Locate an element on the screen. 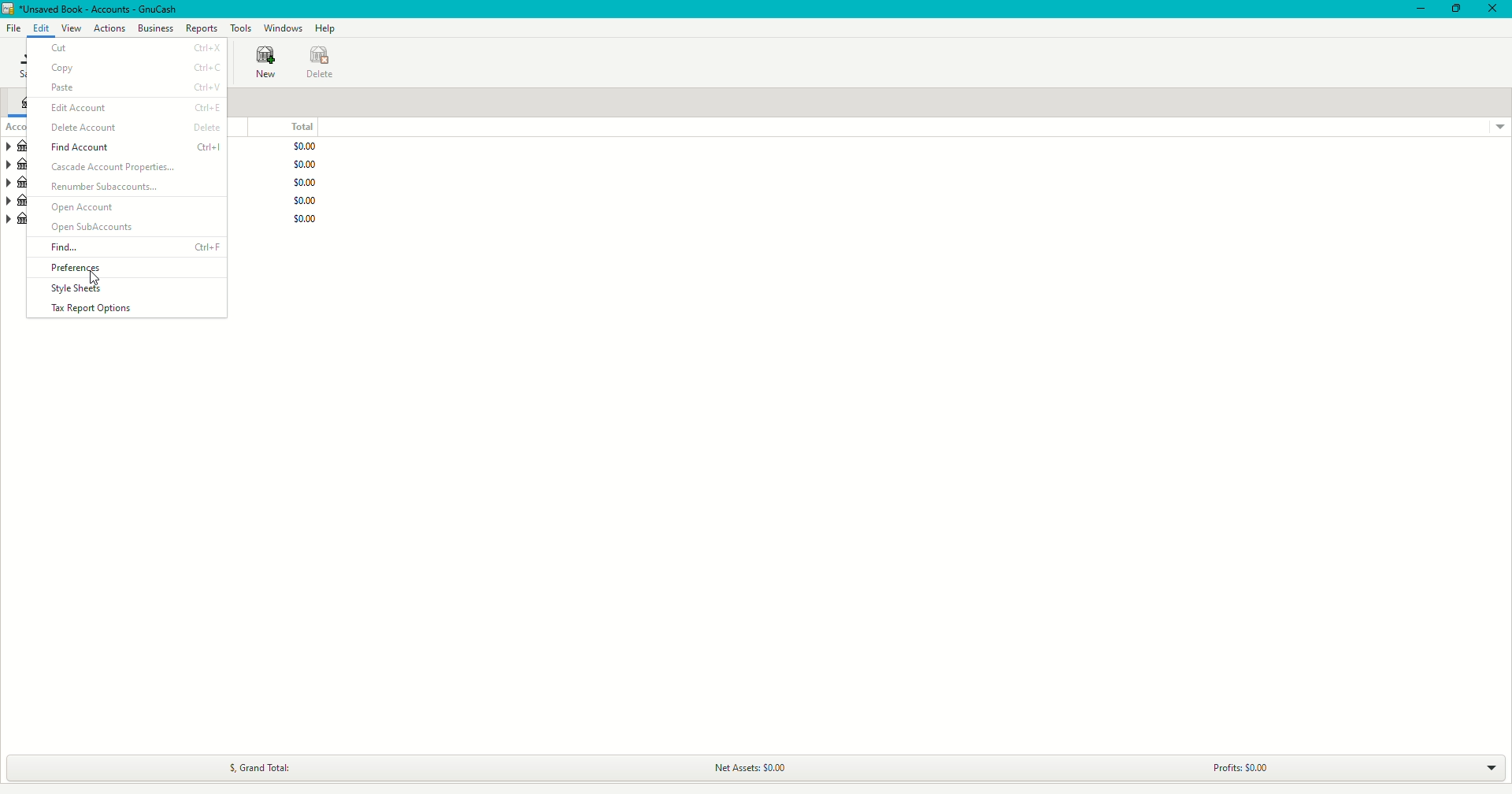 This screenshot has width=1512, height=794. Paste is located at coordinates (129, 87).